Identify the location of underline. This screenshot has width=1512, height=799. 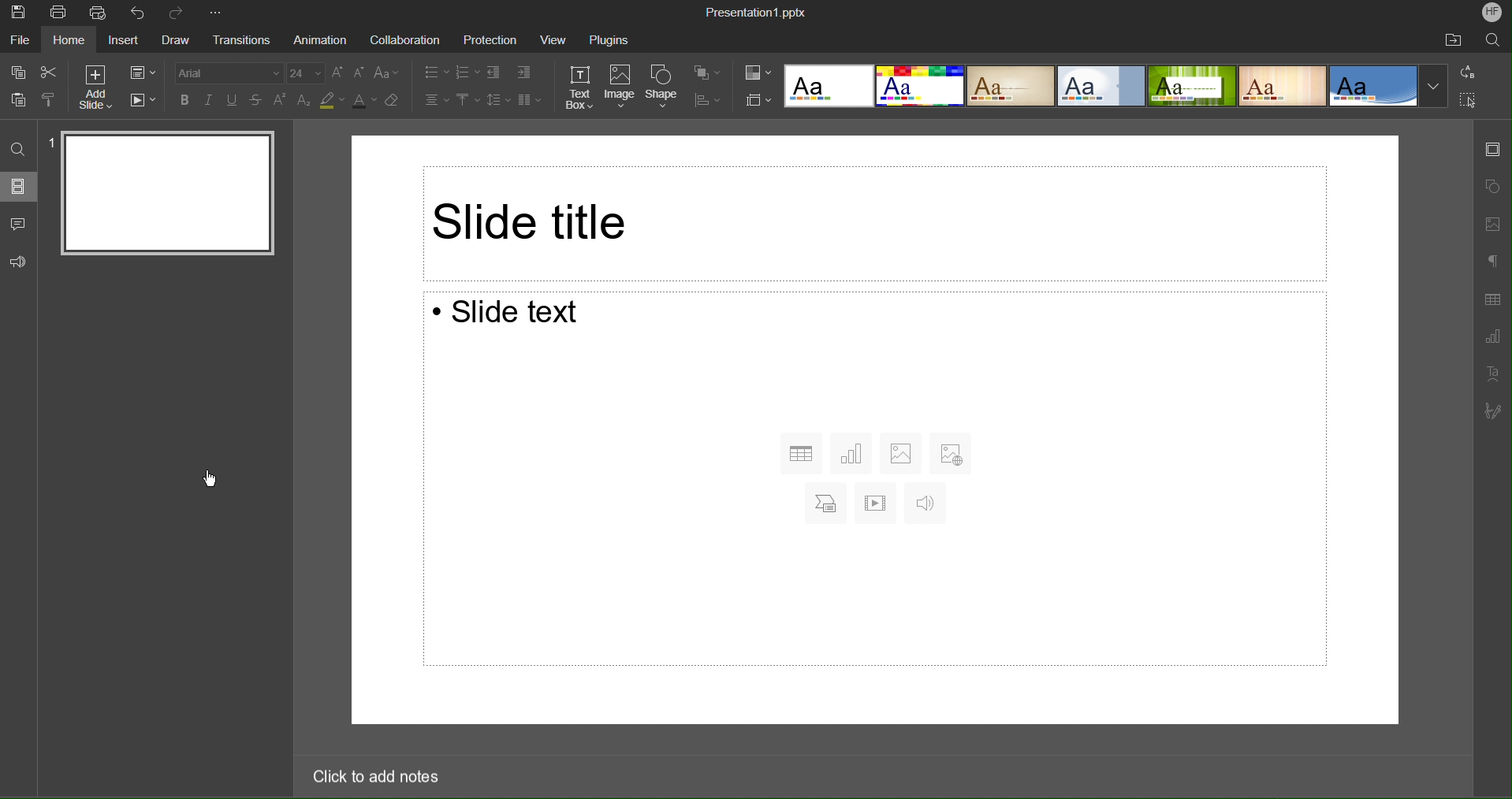
(233, 98).